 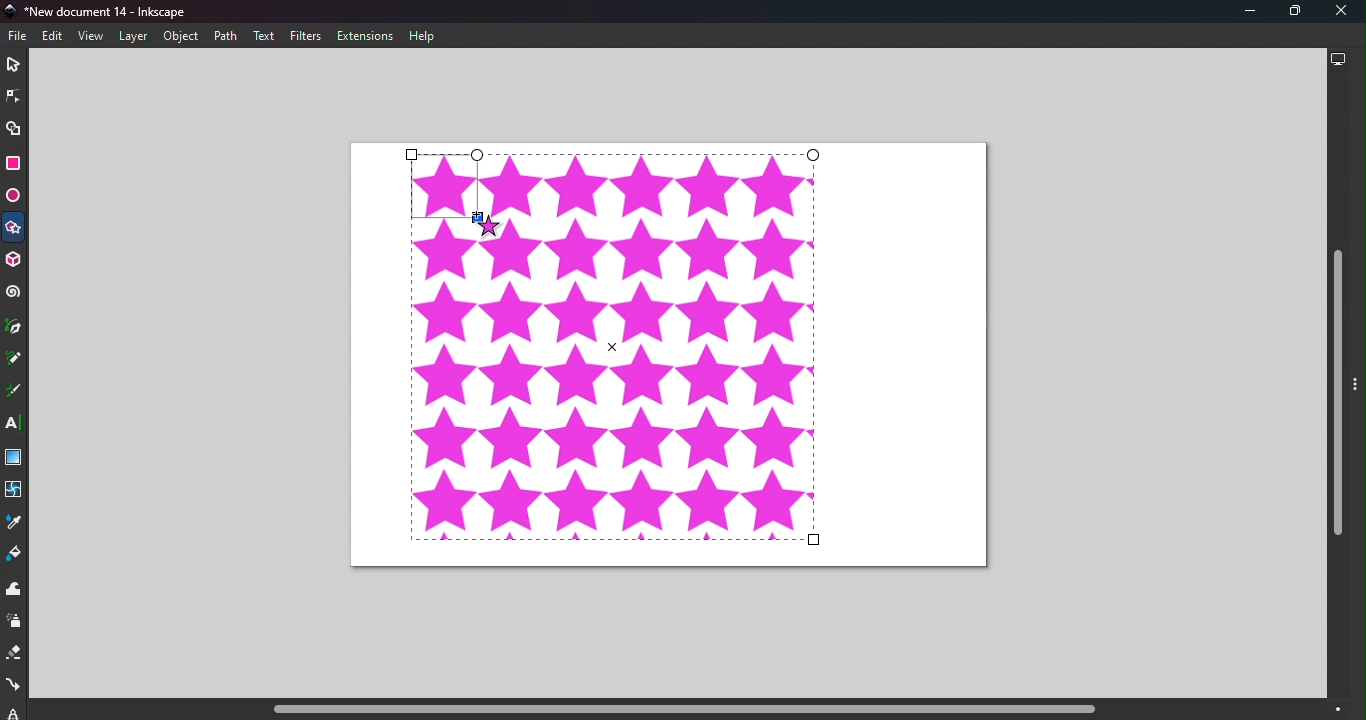 I want to click on Dropper tool, so click(x=12, y=526).